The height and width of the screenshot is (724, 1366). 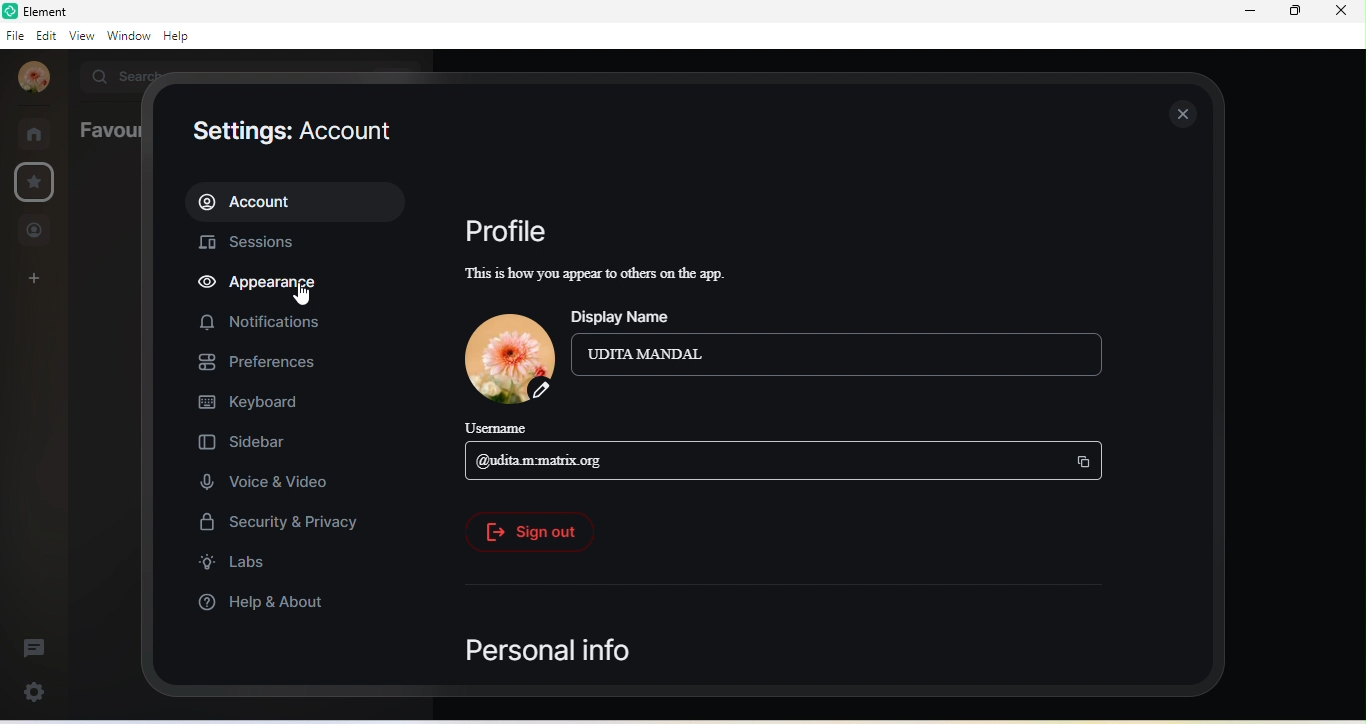 What do you see at coordinates (525, 532) in the screenshot?
I see `sign out` at bounding box center [525, 532].